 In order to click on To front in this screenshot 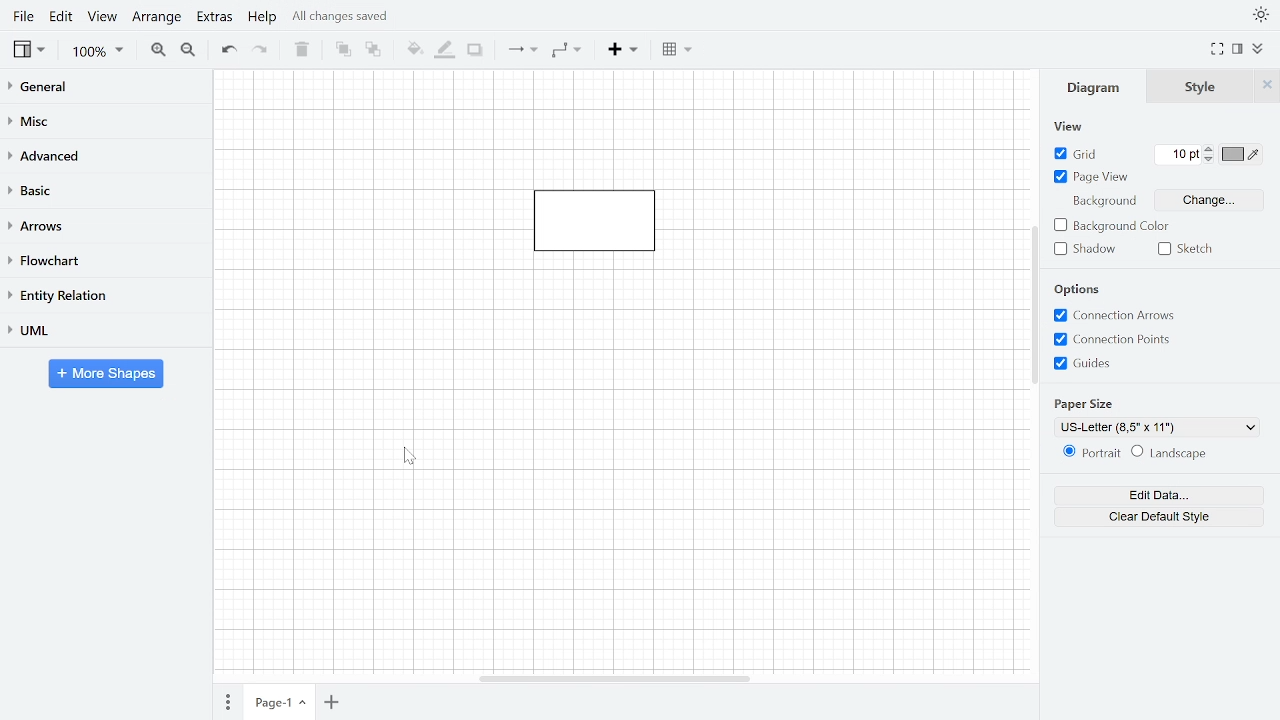, I will do `click(340, 50)`.